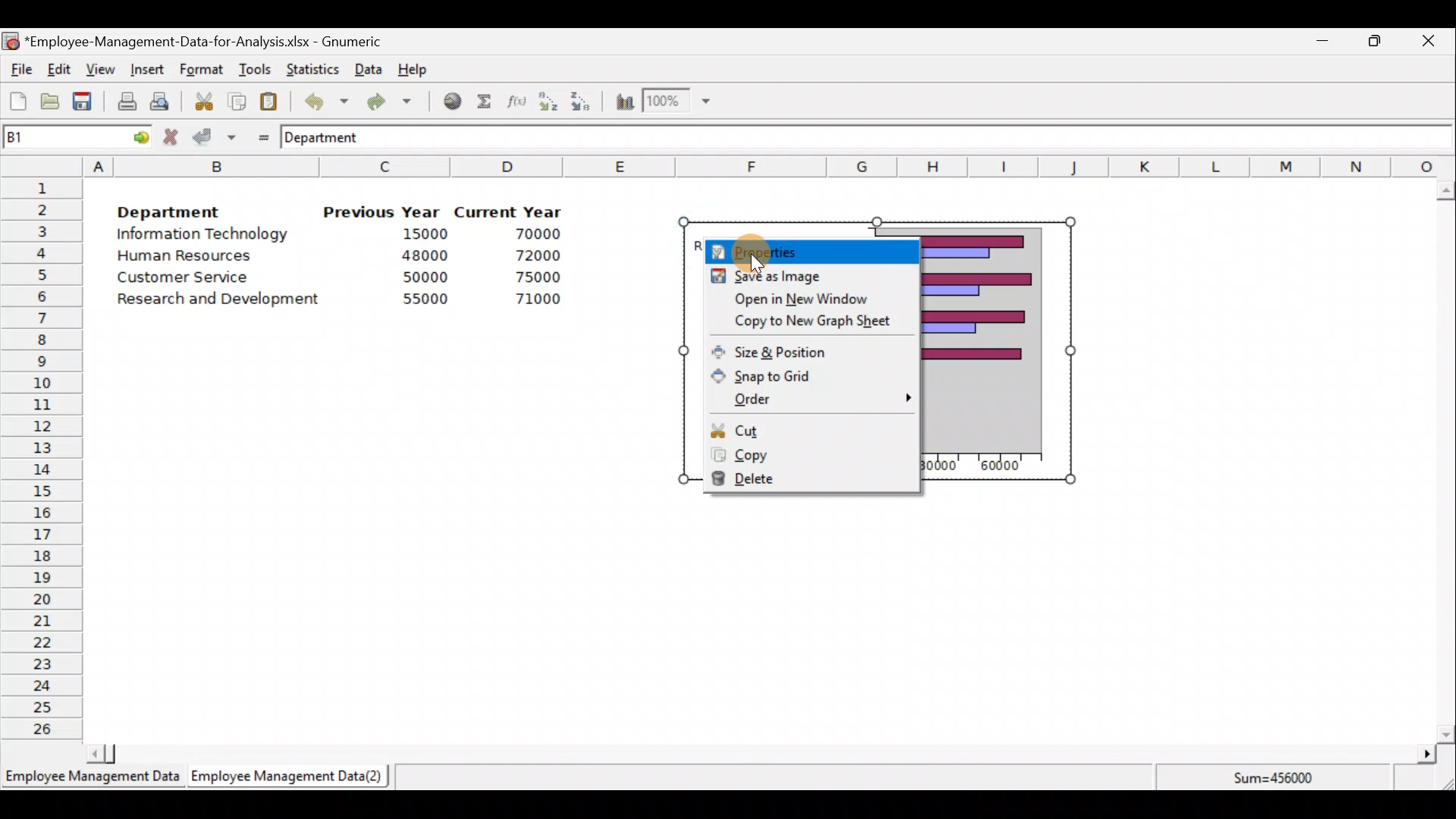 This screenshot has height=819, width=1456. Describe the element at coordinates (761, 244) in the screenshot. I see `Cursor on properties` at that location.